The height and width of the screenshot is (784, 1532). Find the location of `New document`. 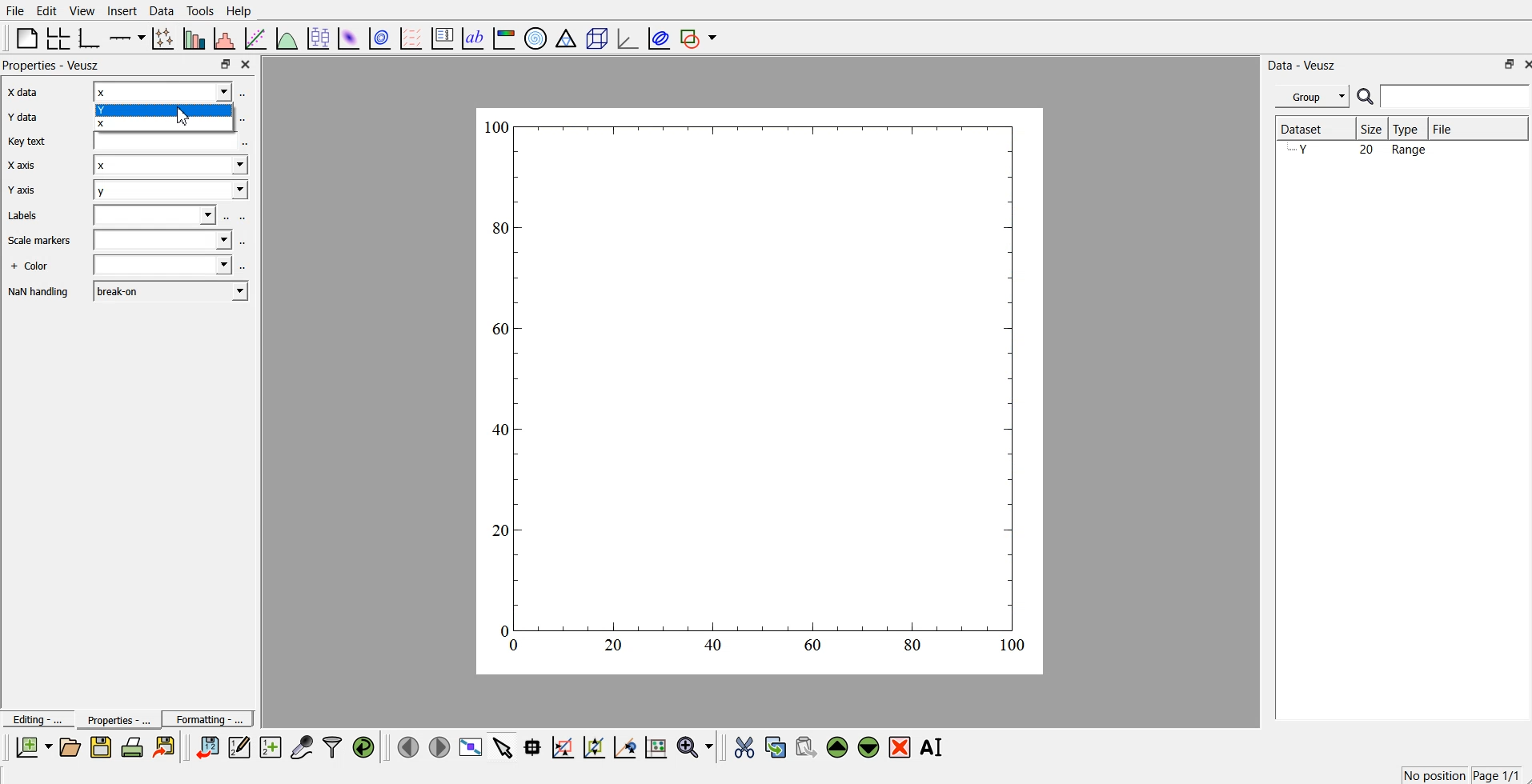

New document is located at coordinates (34, 747).